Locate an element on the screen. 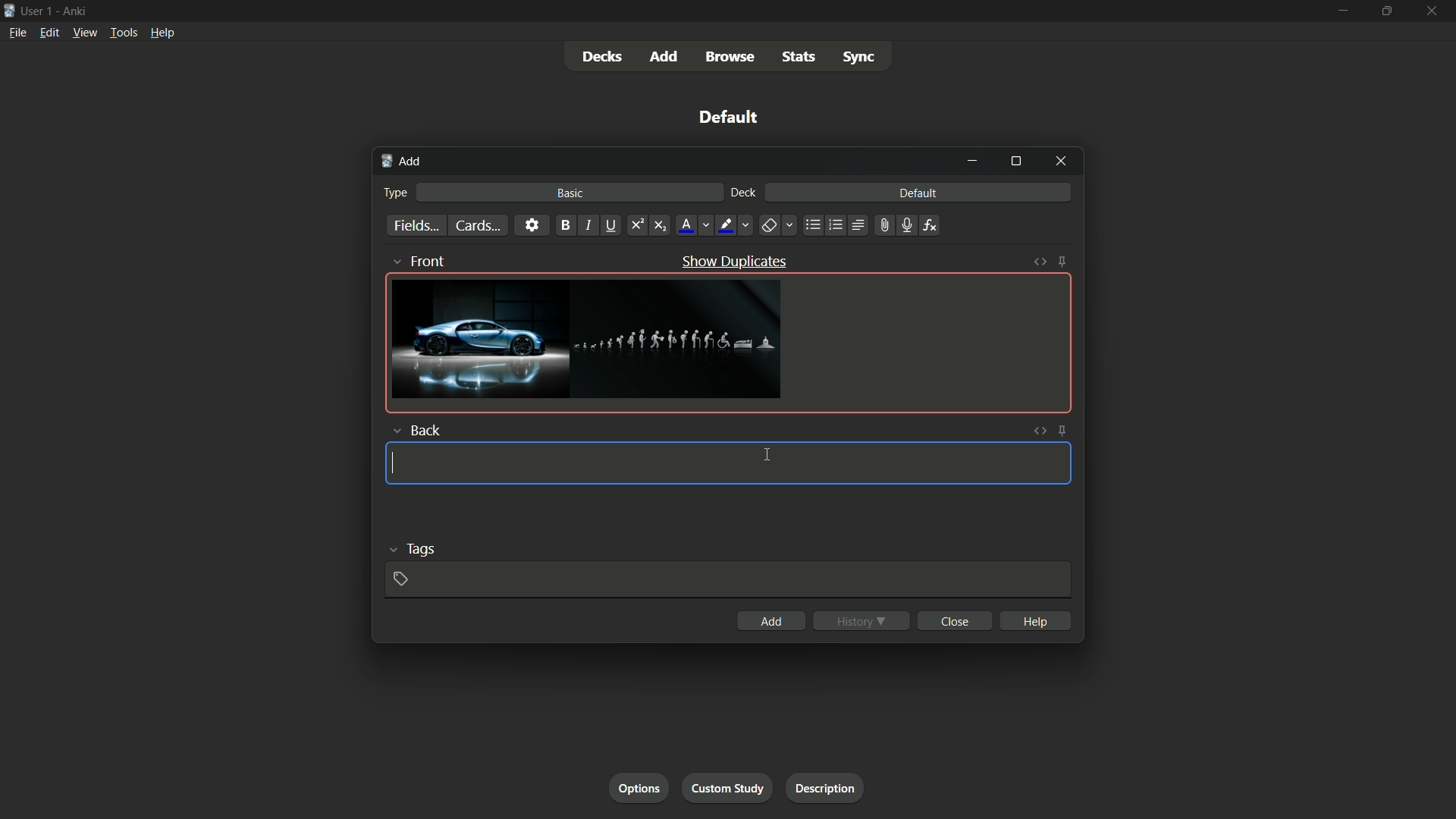  fields is located at coordinates (416, 227).